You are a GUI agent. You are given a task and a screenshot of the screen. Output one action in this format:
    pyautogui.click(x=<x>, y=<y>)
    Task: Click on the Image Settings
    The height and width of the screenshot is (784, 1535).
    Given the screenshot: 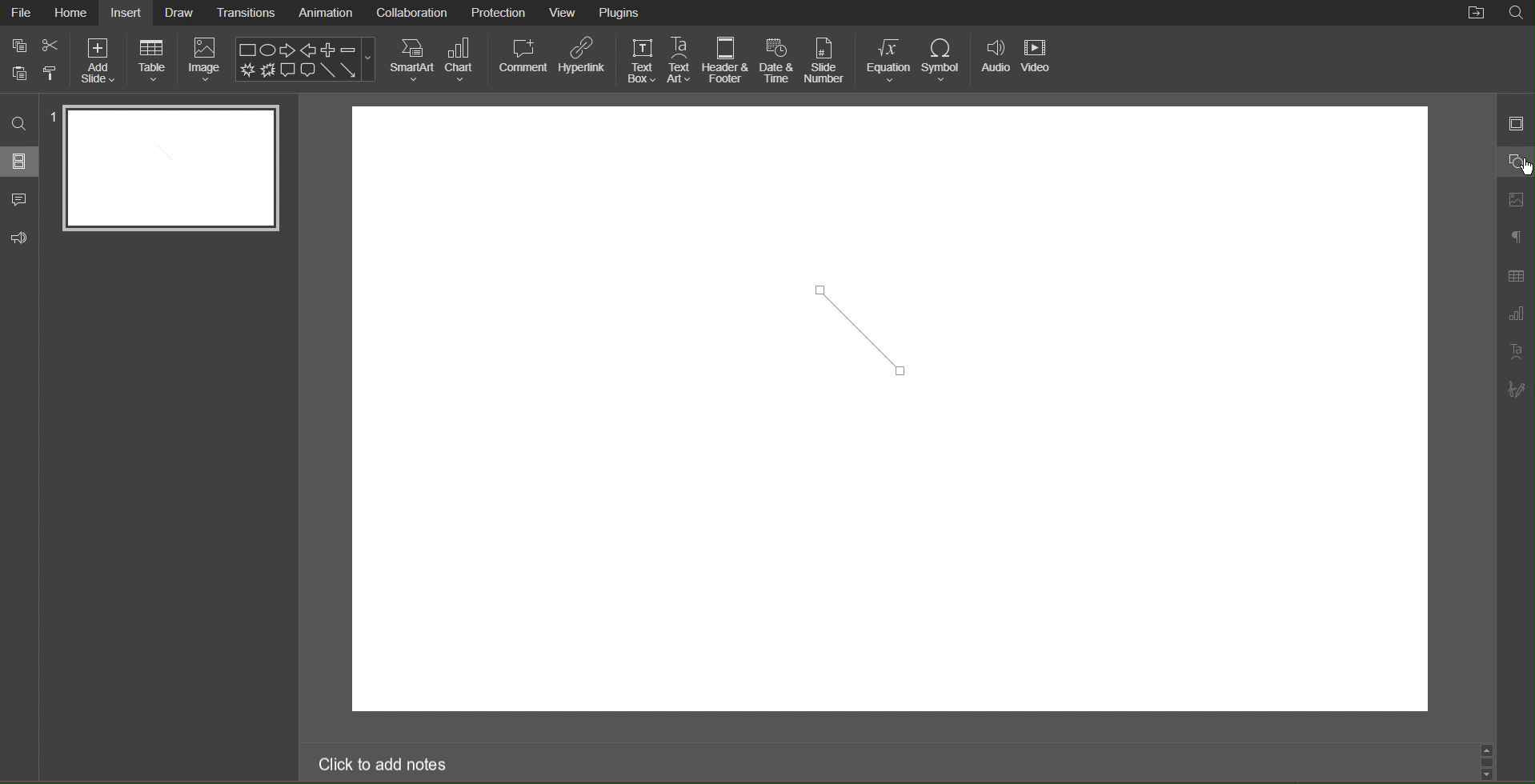 What is the action you would take?
    pyautogui.click(x=1516, y=201)
    